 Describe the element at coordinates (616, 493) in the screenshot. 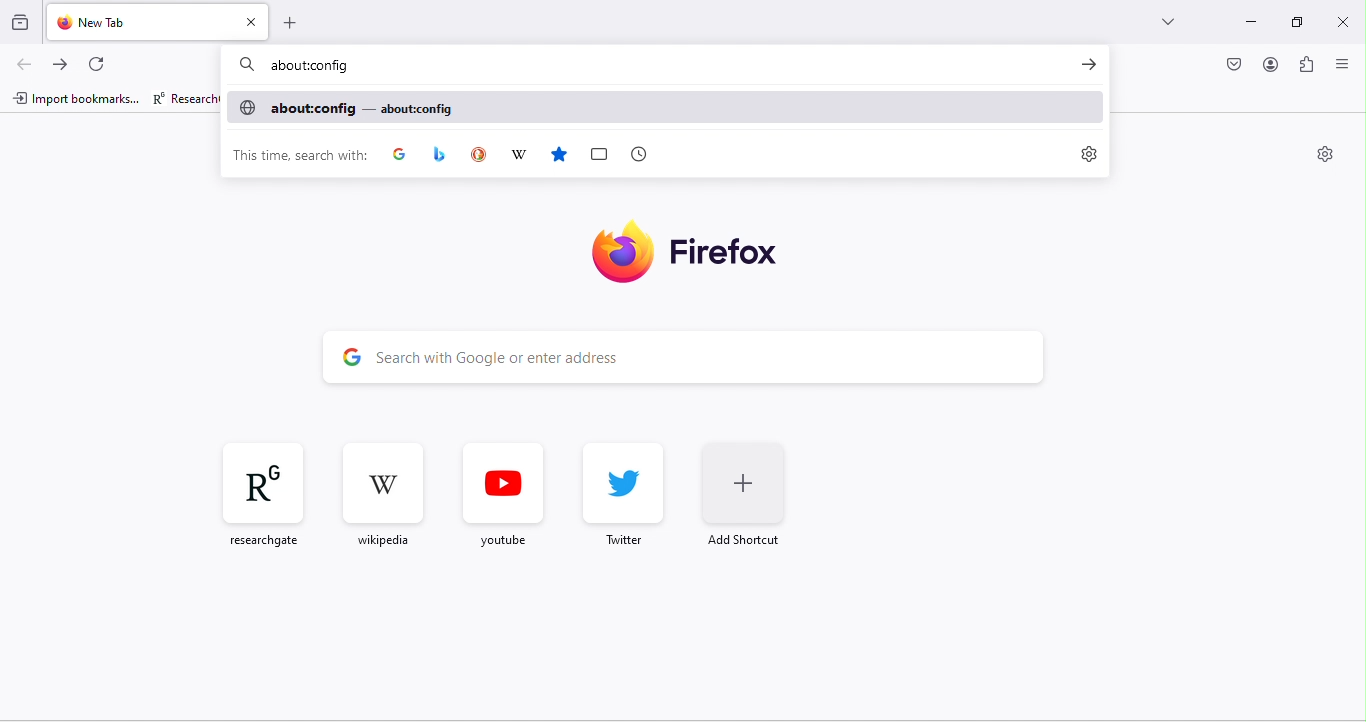

I see `twitter` at that location.